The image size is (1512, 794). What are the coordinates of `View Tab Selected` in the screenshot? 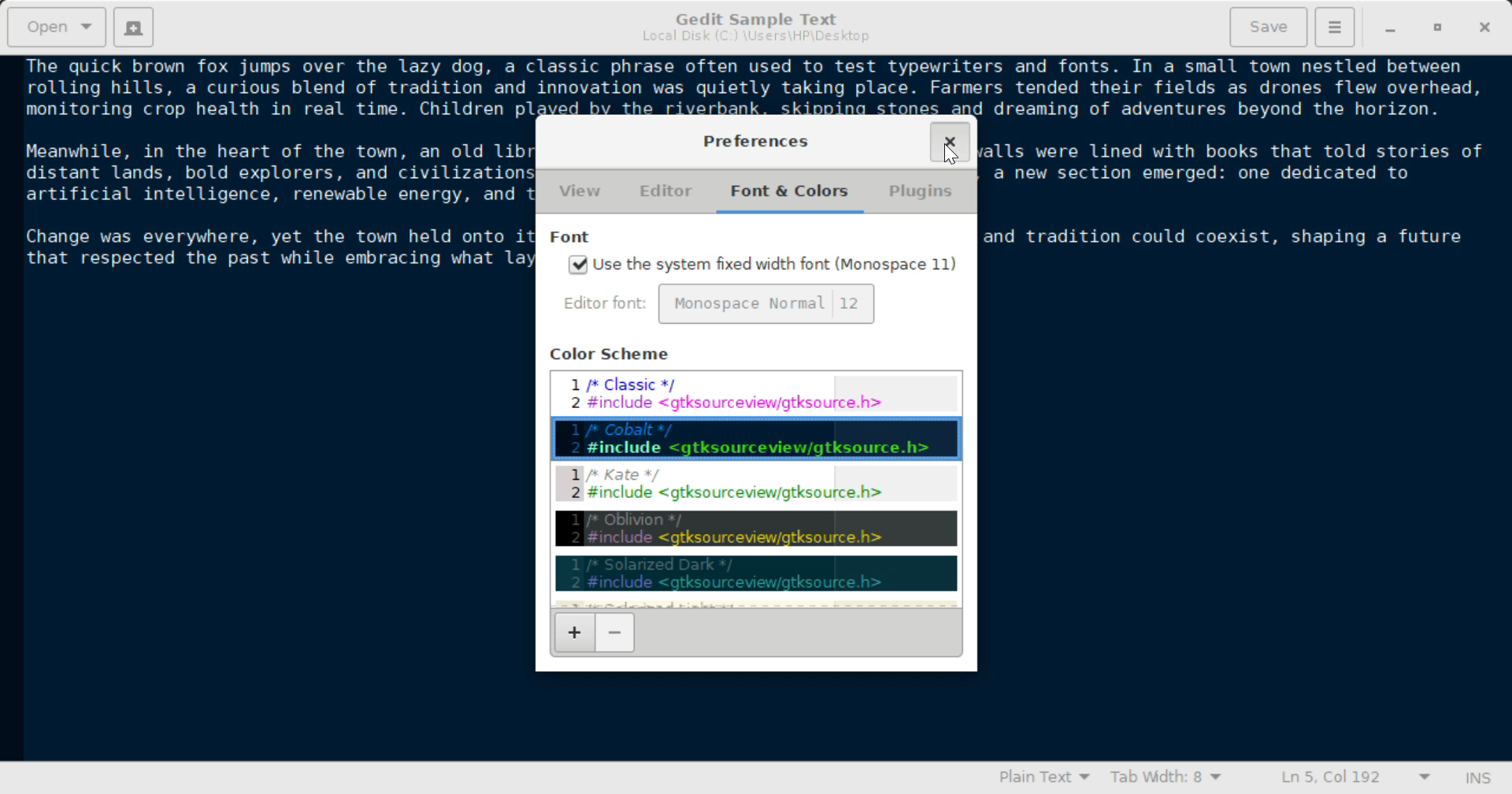 It's located at (580, 193).